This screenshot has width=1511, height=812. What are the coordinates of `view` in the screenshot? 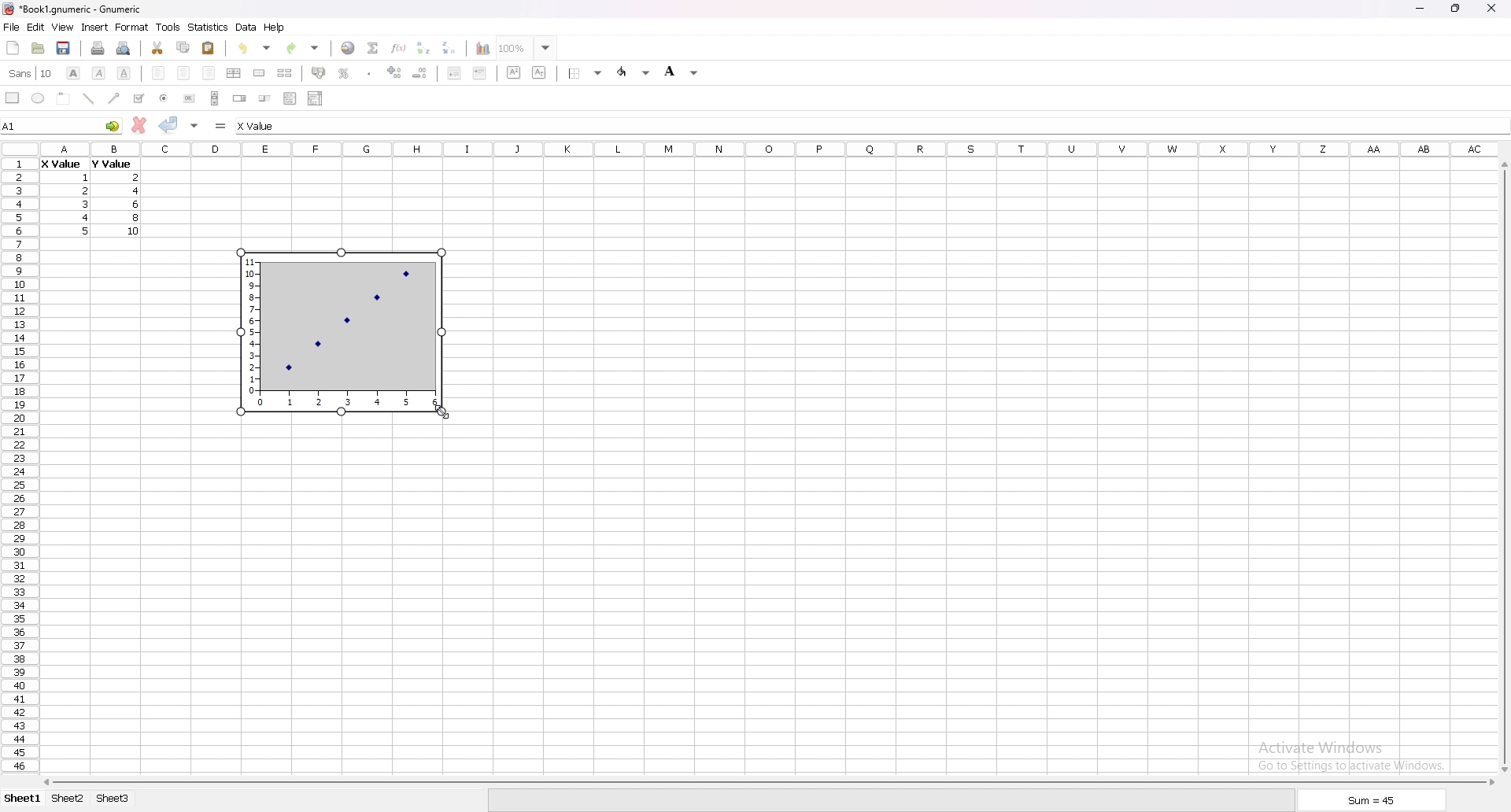 It's located at (62, 28).